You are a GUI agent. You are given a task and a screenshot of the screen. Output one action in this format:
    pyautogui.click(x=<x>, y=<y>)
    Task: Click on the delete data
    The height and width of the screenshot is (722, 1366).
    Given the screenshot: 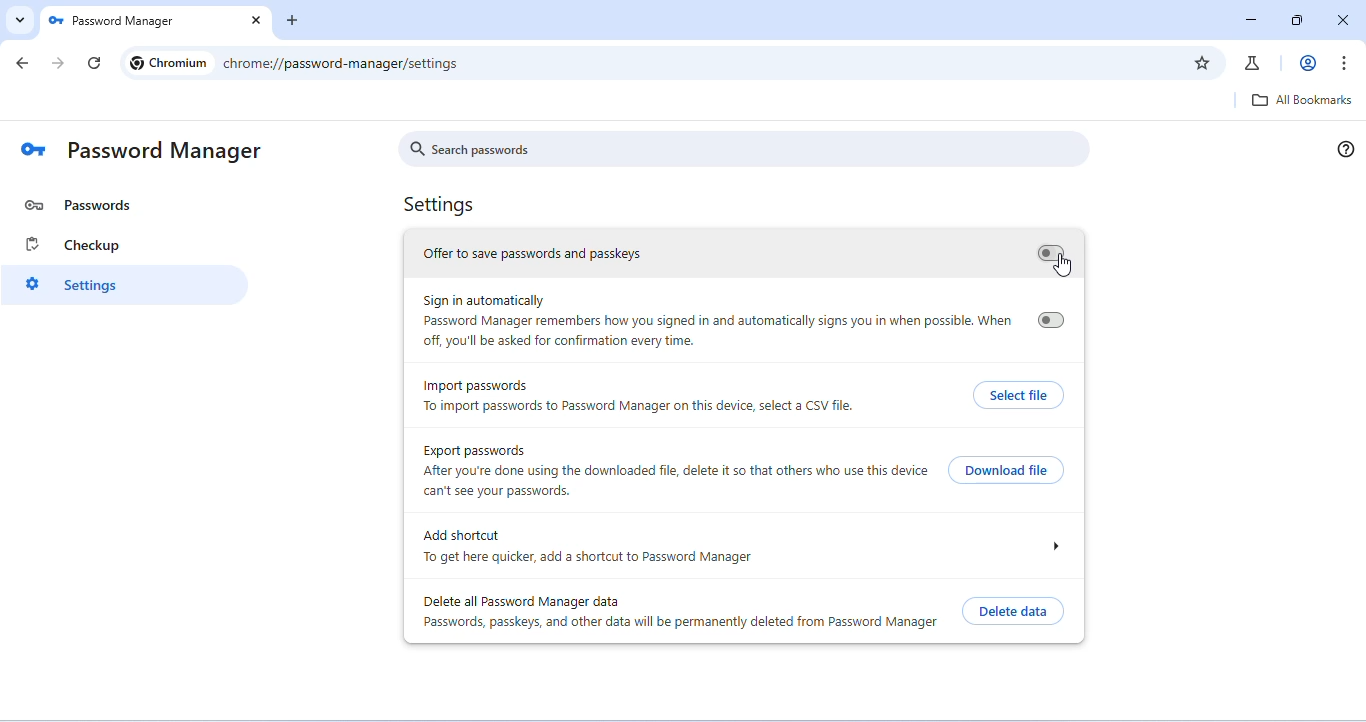 What is the action you would take?
    pyautogui.click(x=1014, y=612)
    